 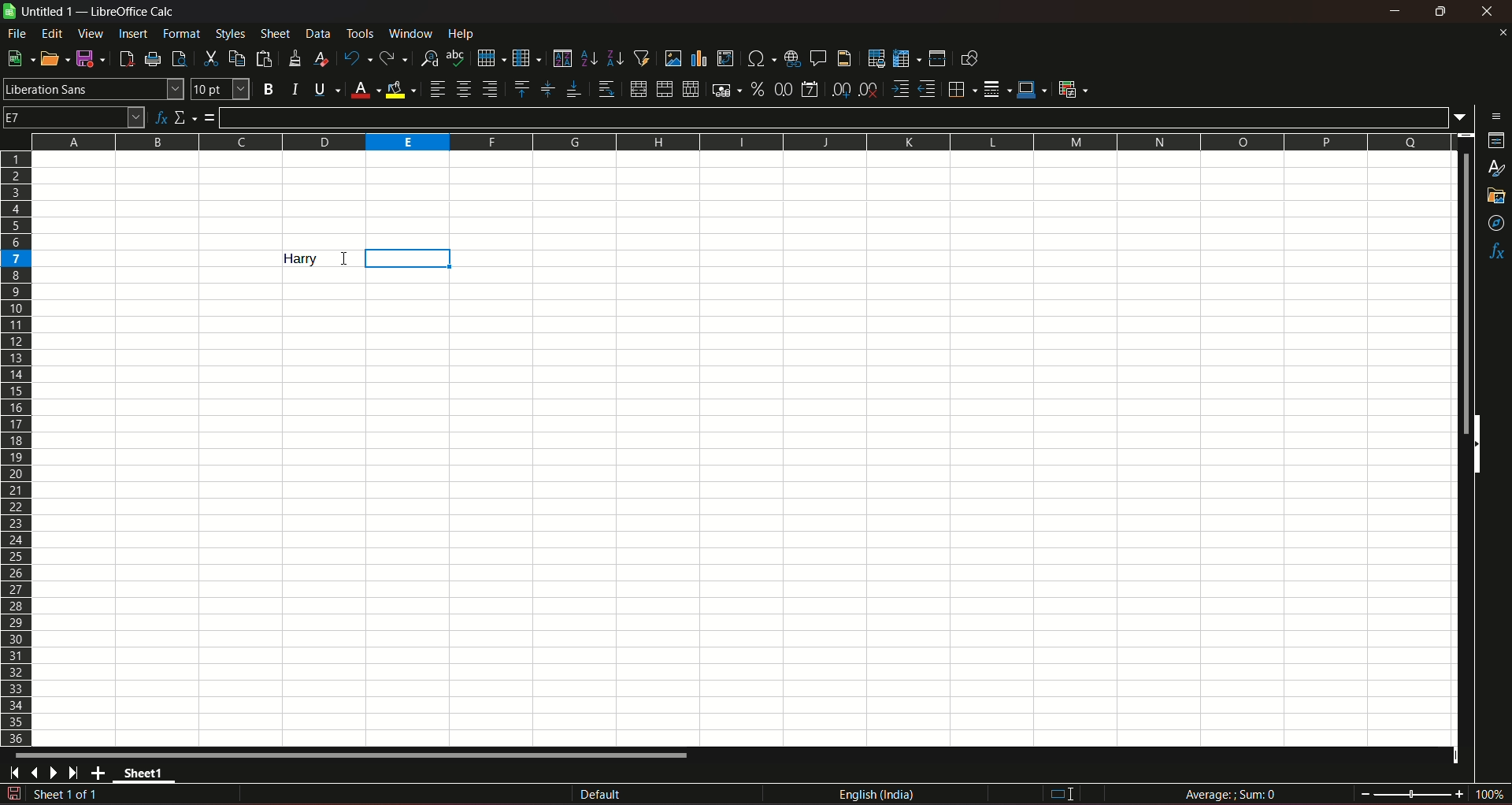 What do you see at coordinates (927, 89) in the screenshot?
I see `decrease indent` at bounding box center [927, 89].